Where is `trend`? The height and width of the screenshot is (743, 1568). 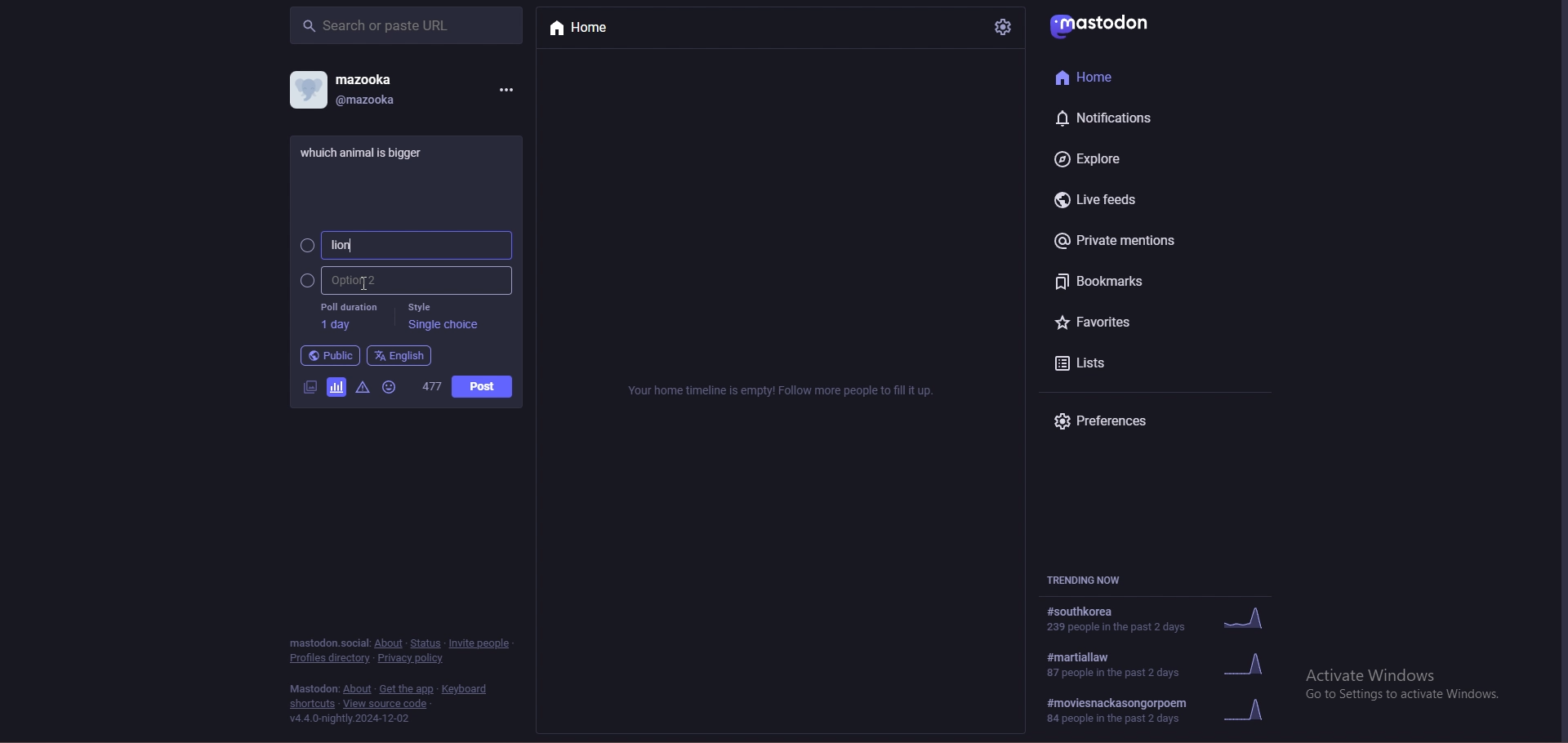
trend is located at coordinates (1162, 617).